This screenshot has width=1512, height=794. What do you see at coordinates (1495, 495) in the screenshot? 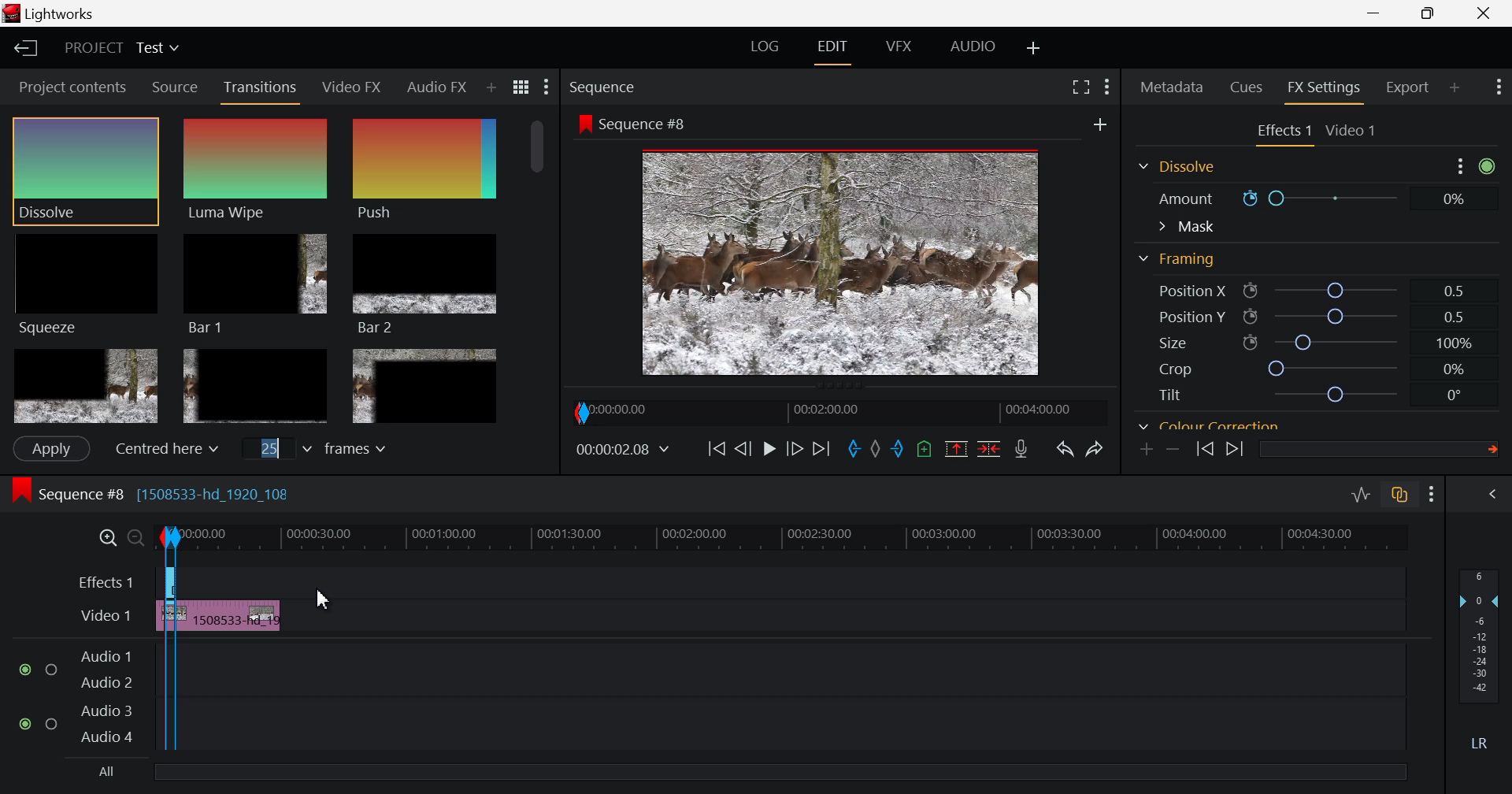
I see `View Audio Mix` at bounding box center [1495, 495].